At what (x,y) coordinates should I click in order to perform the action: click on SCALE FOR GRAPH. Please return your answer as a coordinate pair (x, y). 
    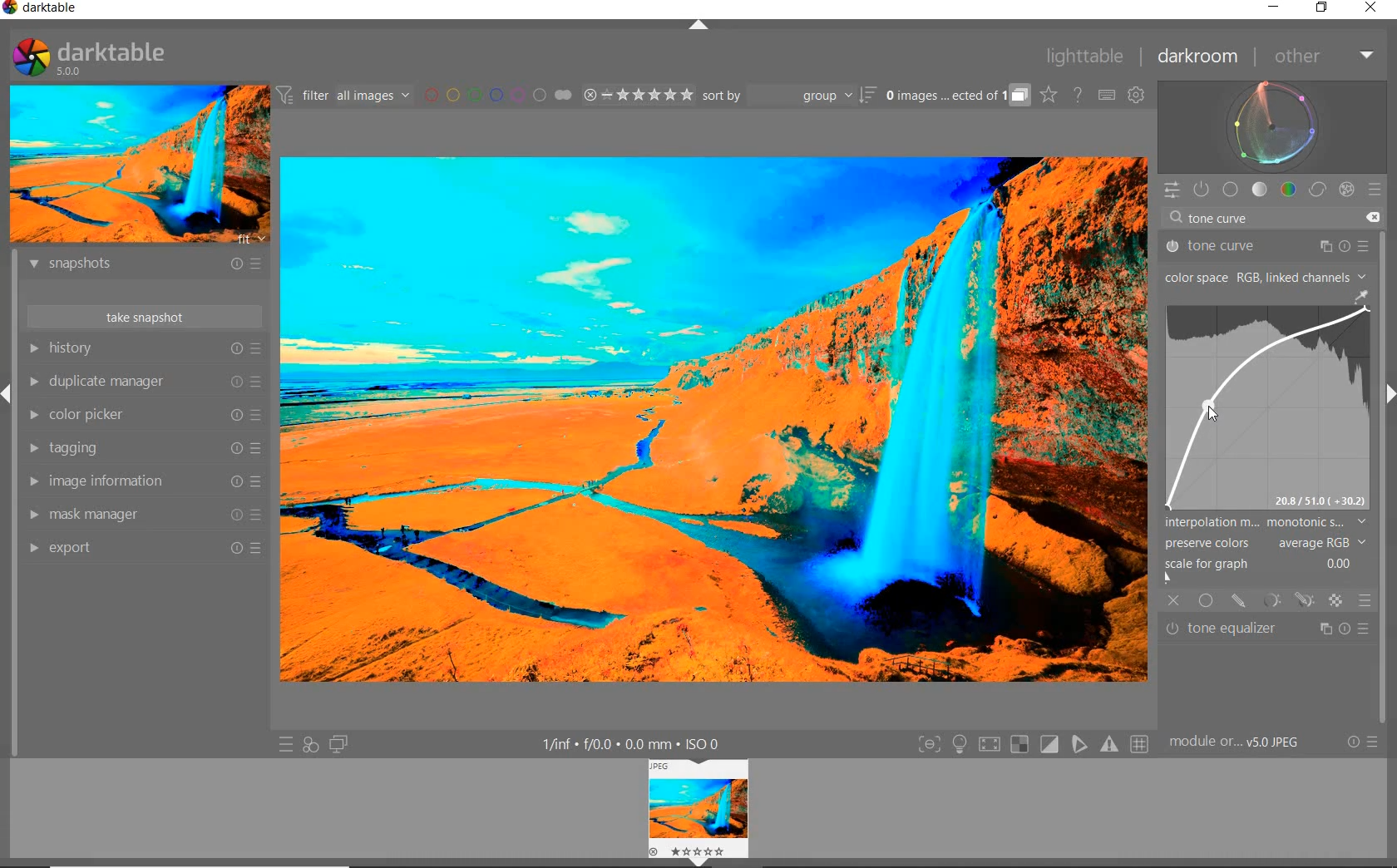
    Looking at the image, I should click on (1261, 572).